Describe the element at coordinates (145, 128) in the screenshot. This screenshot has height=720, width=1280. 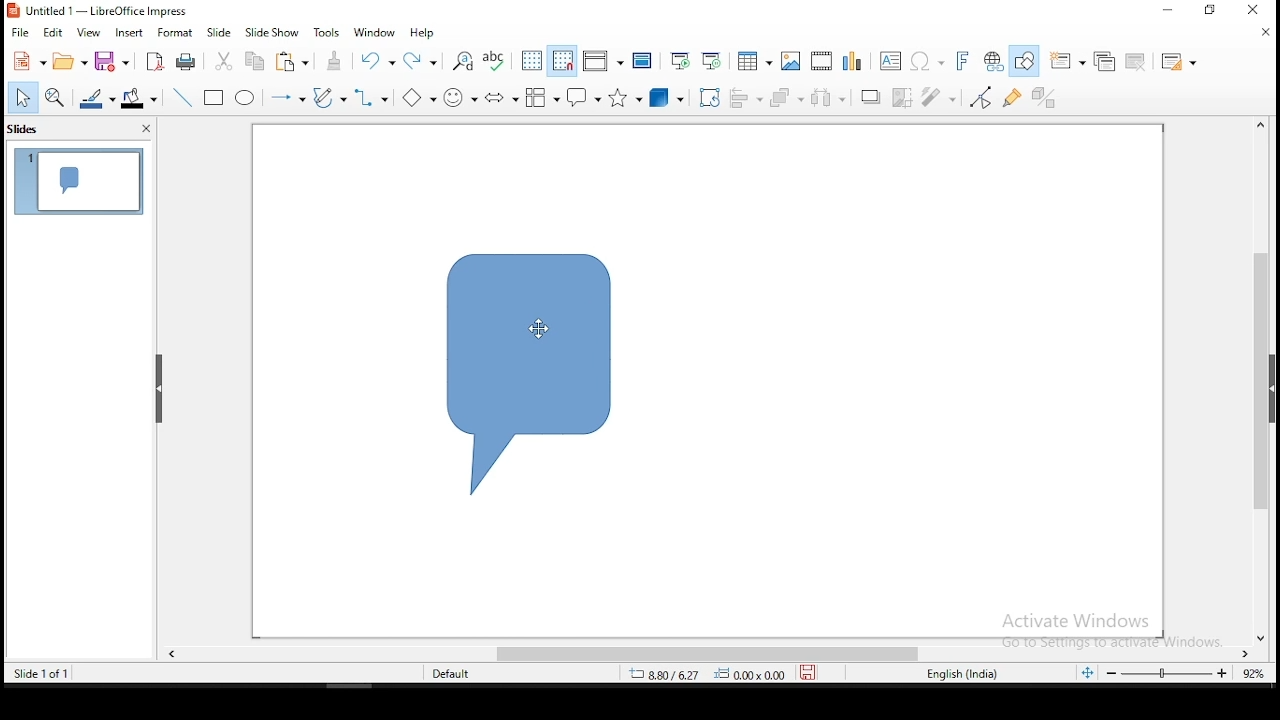
I see `close pane` at that location.